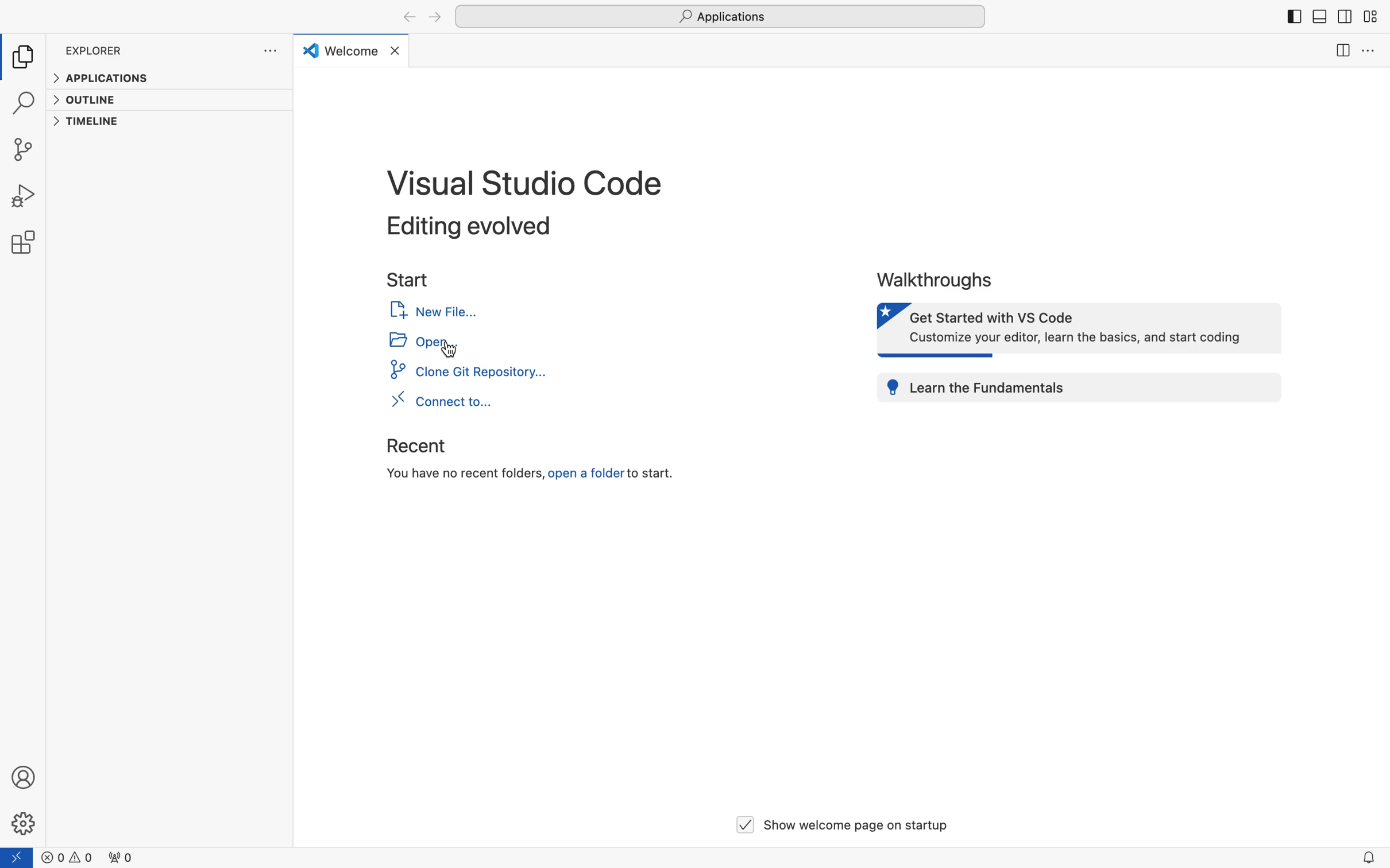 This screenshot has width=1390, height=868. I want to click on outline, so click(91, 100).